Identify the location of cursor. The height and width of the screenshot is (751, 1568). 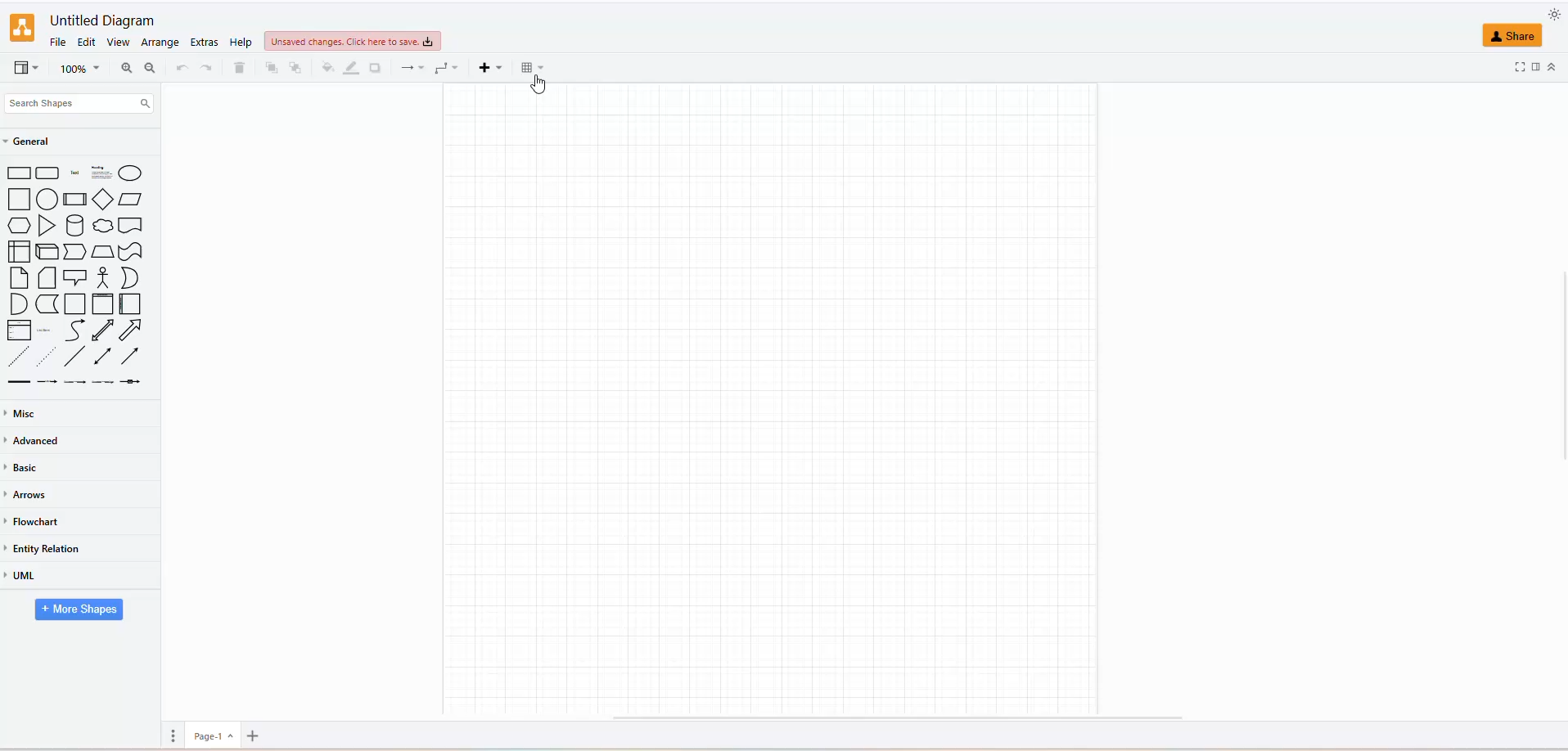
(535, 88).